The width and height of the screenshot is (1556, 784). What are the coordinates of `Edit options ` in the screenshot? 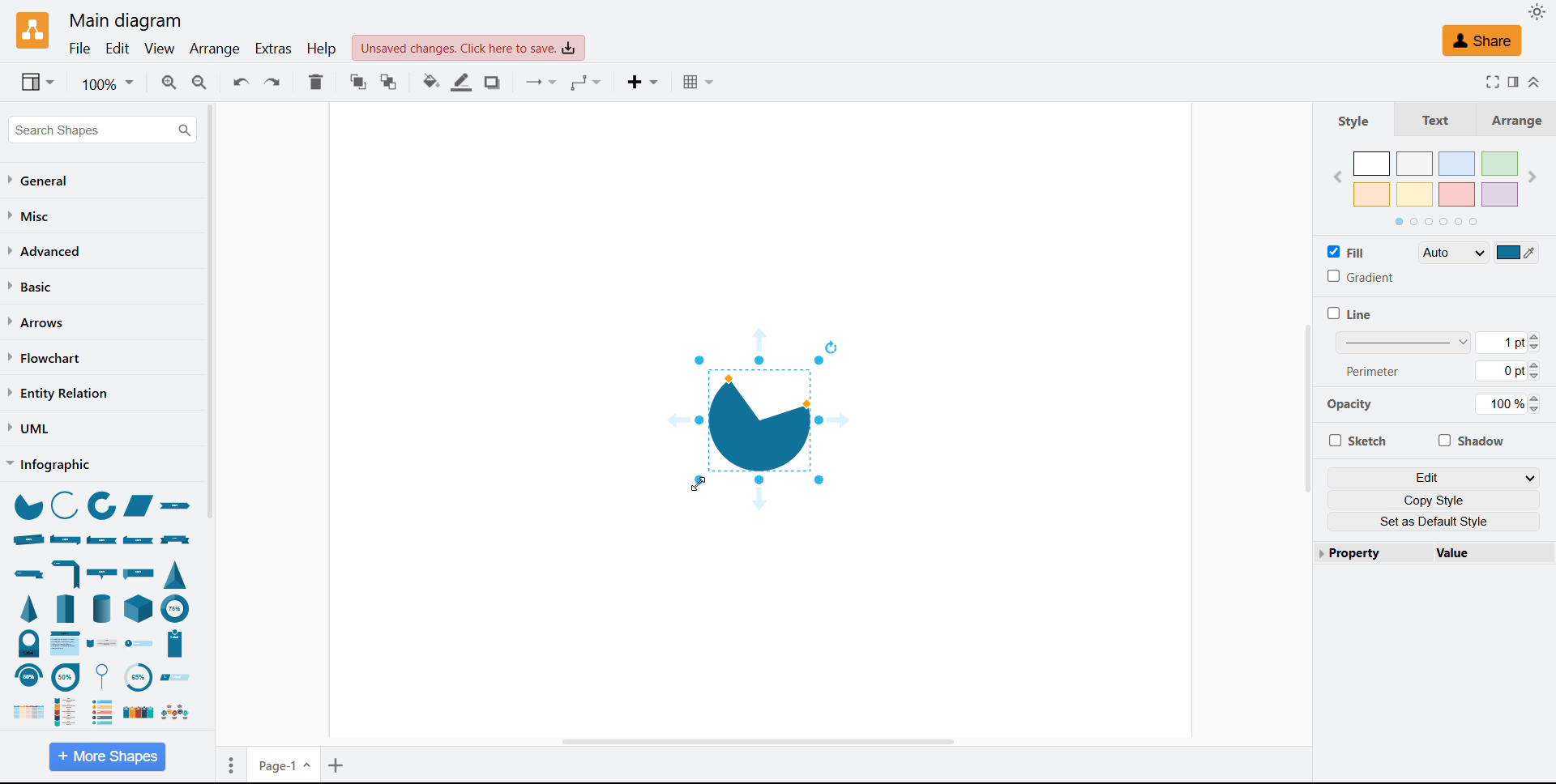 It's located at (1434, 477).